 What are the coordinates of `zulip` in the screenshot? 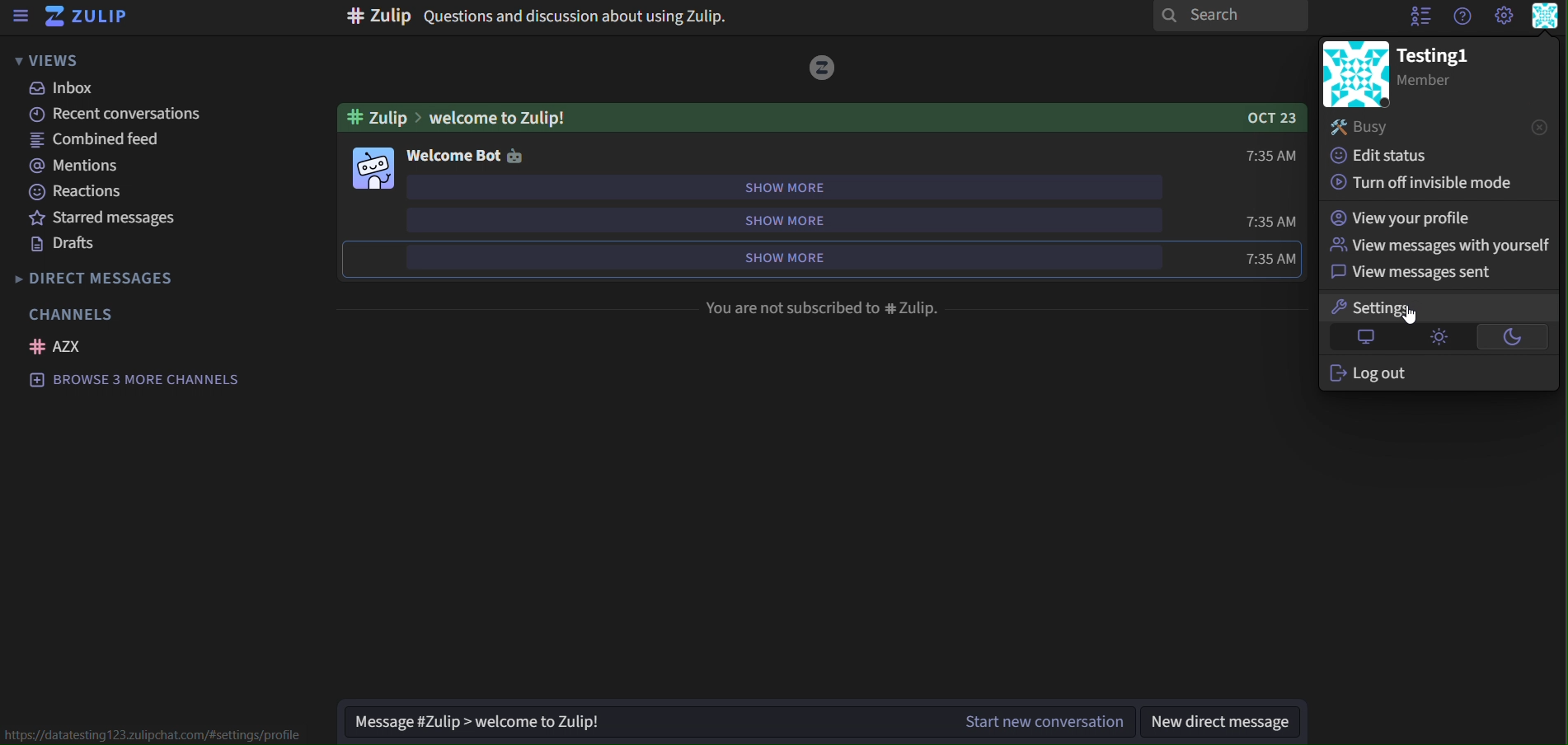 It's located at (89, 17).